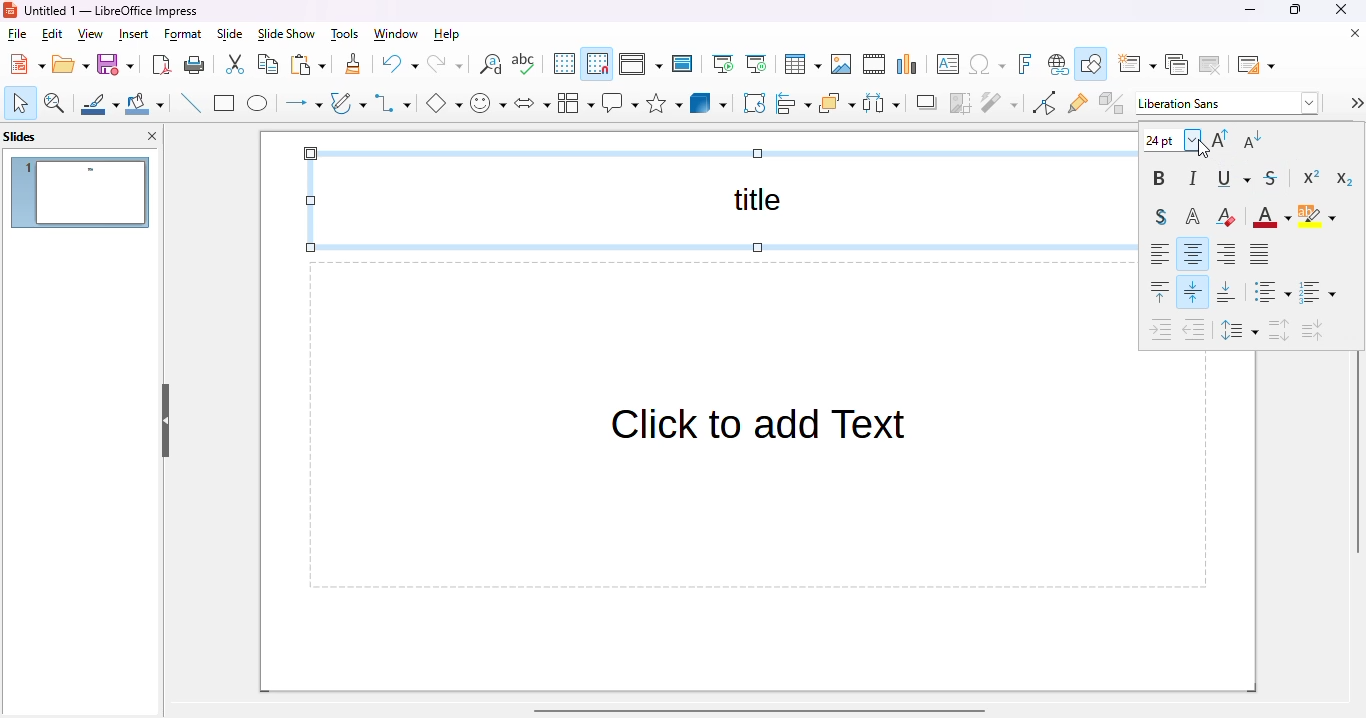 The image size is (1366, 718). I want to click on bold, so click(1159, 178).